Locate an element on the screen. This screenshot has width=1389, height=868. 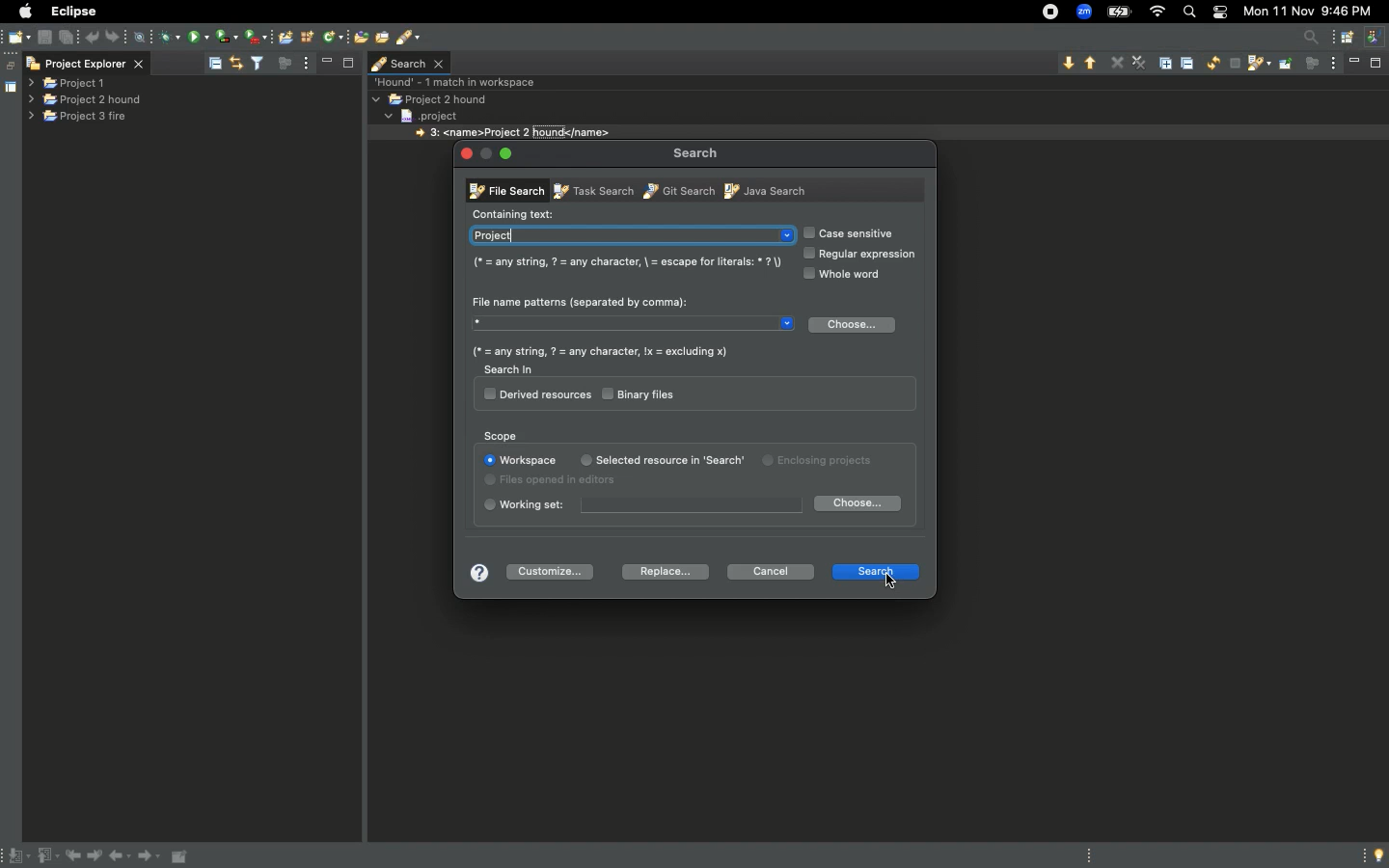
Customize is located at coordinates (555, 570).